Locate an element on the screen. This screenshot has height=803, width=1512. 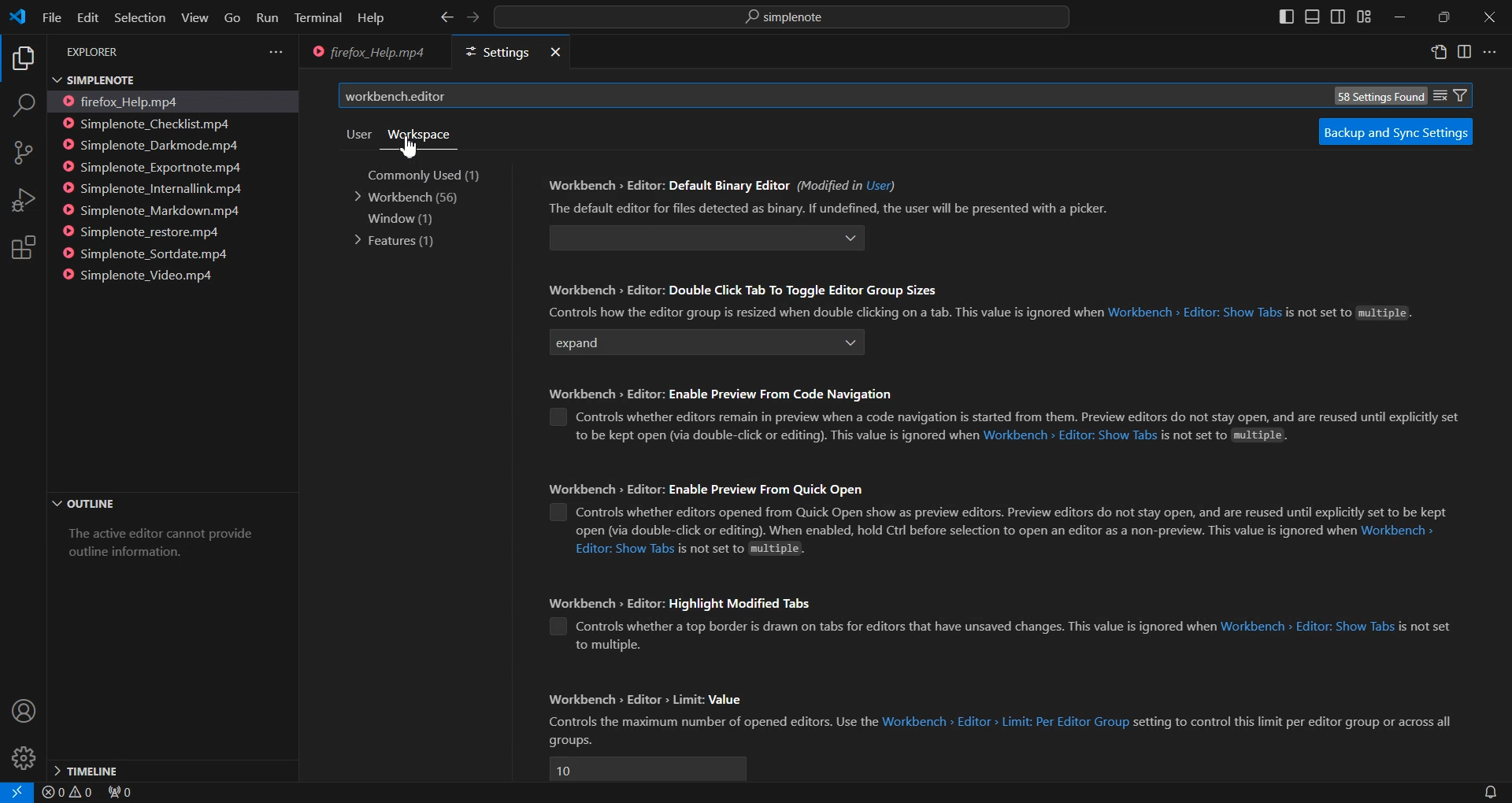
is not set is located at coordinates (1425, 627).